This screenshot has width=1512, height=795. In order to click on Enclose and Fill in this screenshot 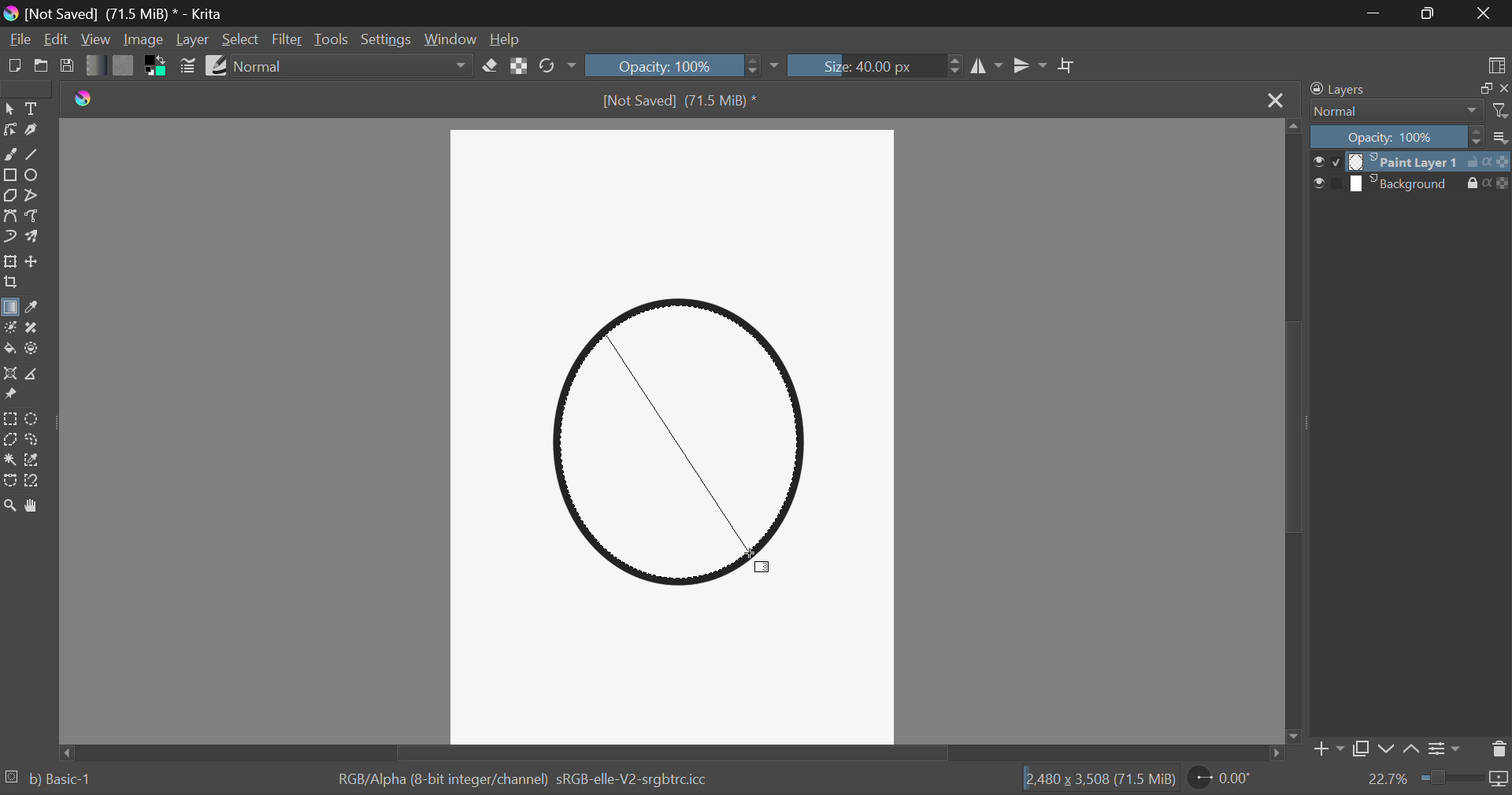, I will do `click(37, 349)`.